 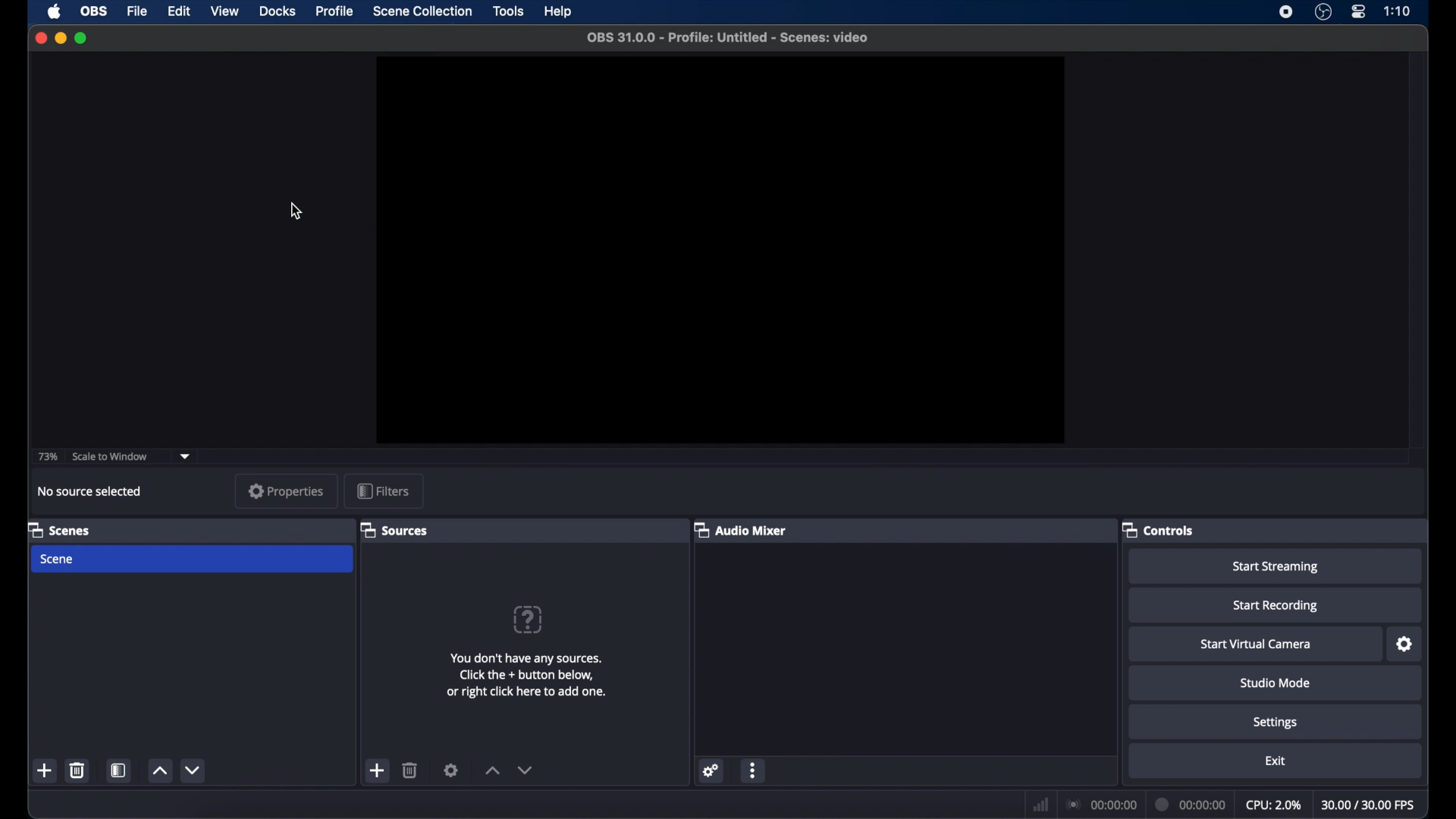 I want to click on netwrok, so click(x=1040, y=805).